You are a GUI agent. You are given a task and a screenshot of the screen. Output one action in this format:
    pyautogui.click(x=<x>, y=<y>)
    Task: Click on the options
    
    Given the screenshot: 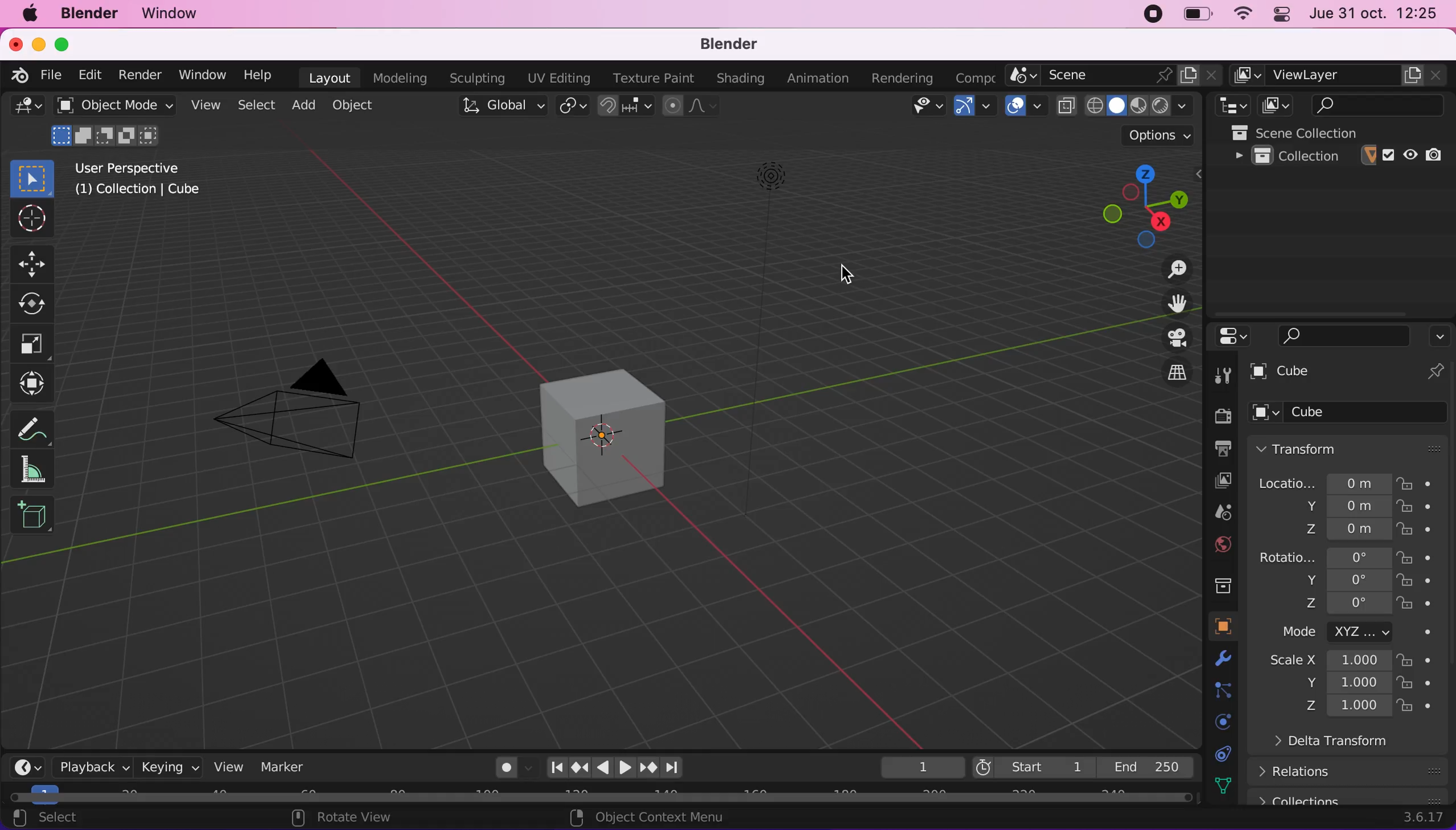 What is the action you would take?
    pyautogui.click(x=1439, y=333)
    